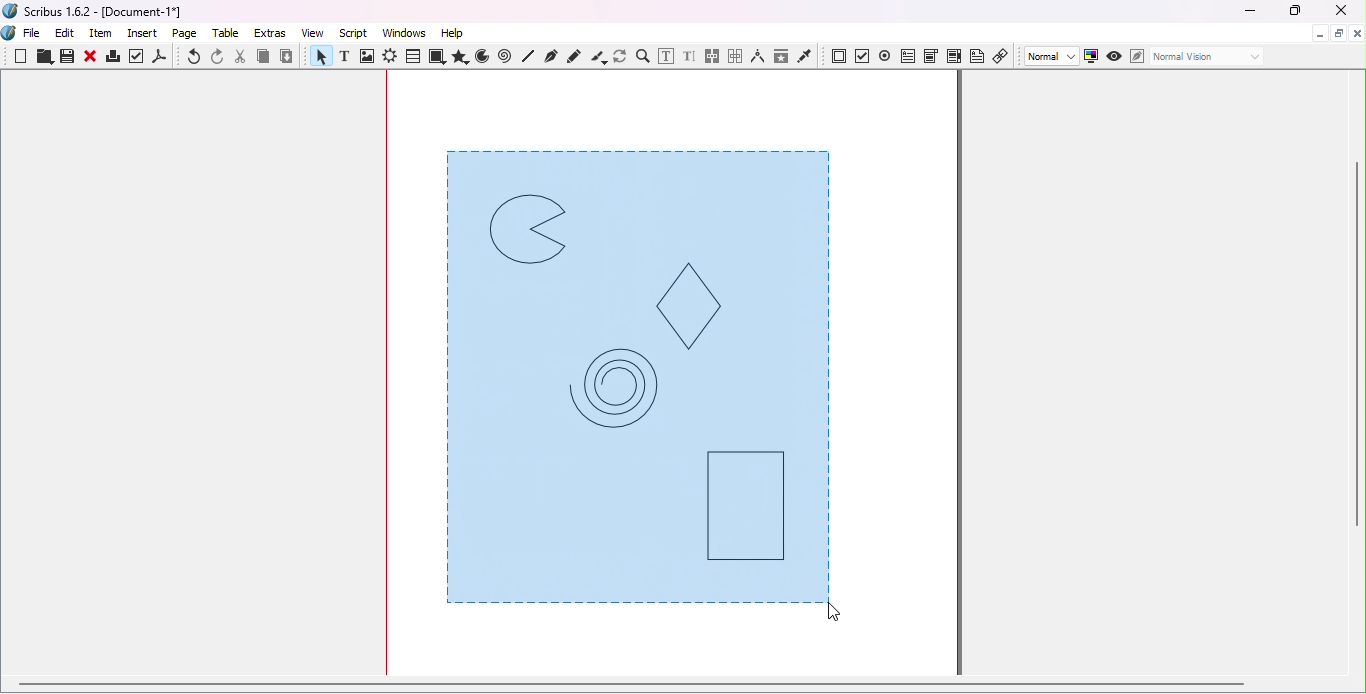 This screenshot has width=1366, height=694. What do you see at coordinates (642, 378) in the screenshot?
I see `Dragging to select image` at bounding box center [642, 378].